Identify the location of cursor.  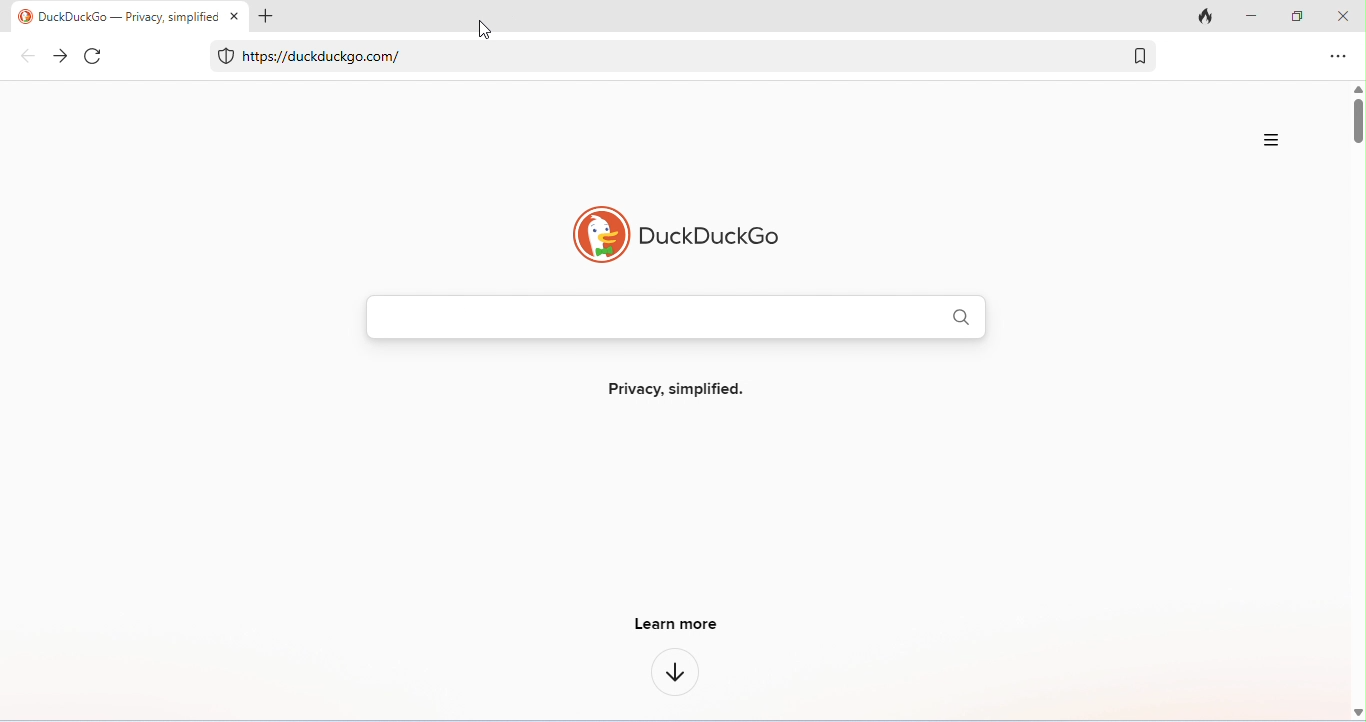
(485, 32).